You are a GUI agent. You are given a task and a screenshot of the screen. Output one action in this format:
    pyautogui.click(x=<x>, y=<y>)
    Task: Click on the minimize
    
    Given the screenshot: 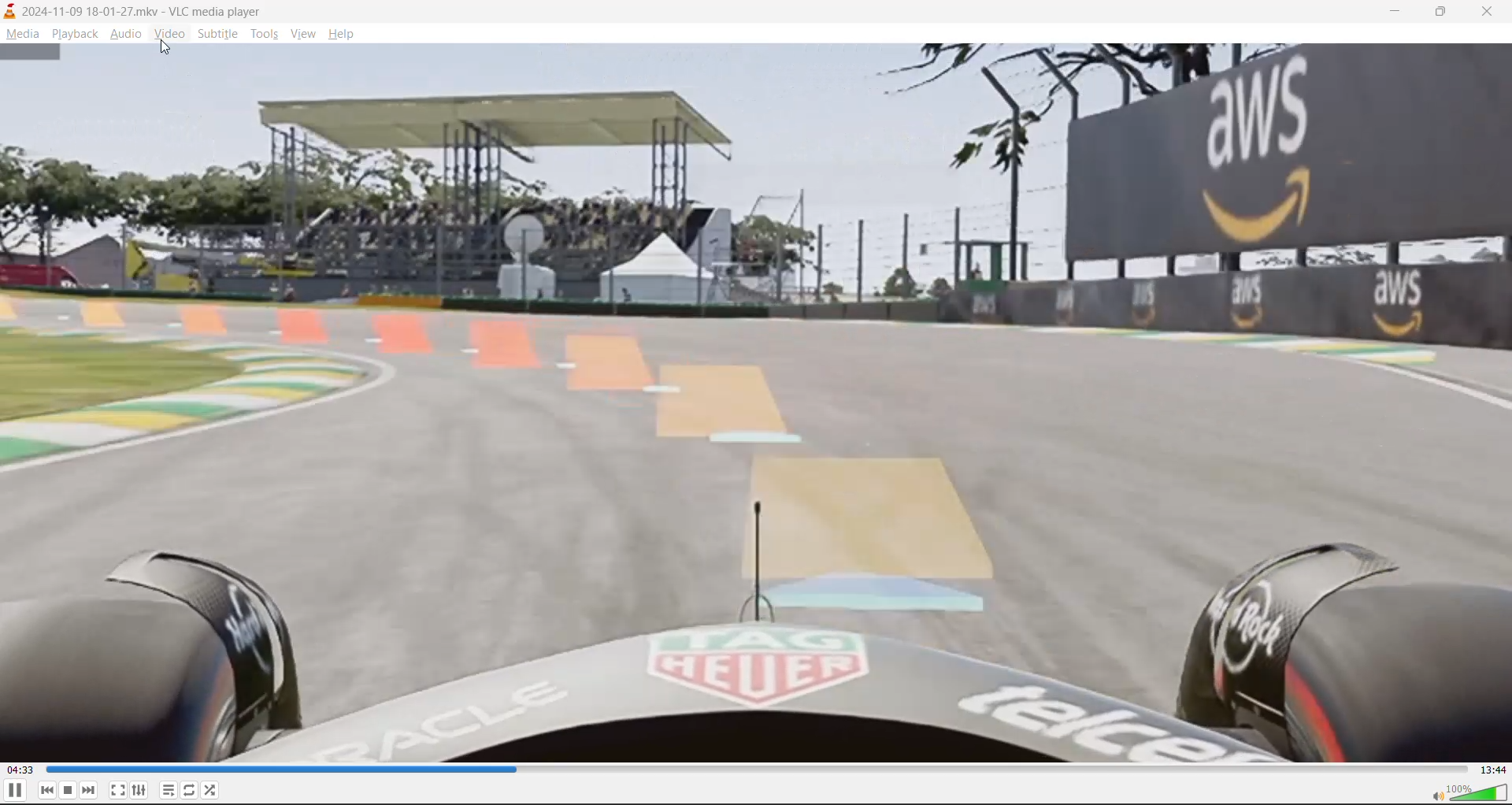 What is the action you would take?
    pyautogui.click(x=1399, y=13)
    